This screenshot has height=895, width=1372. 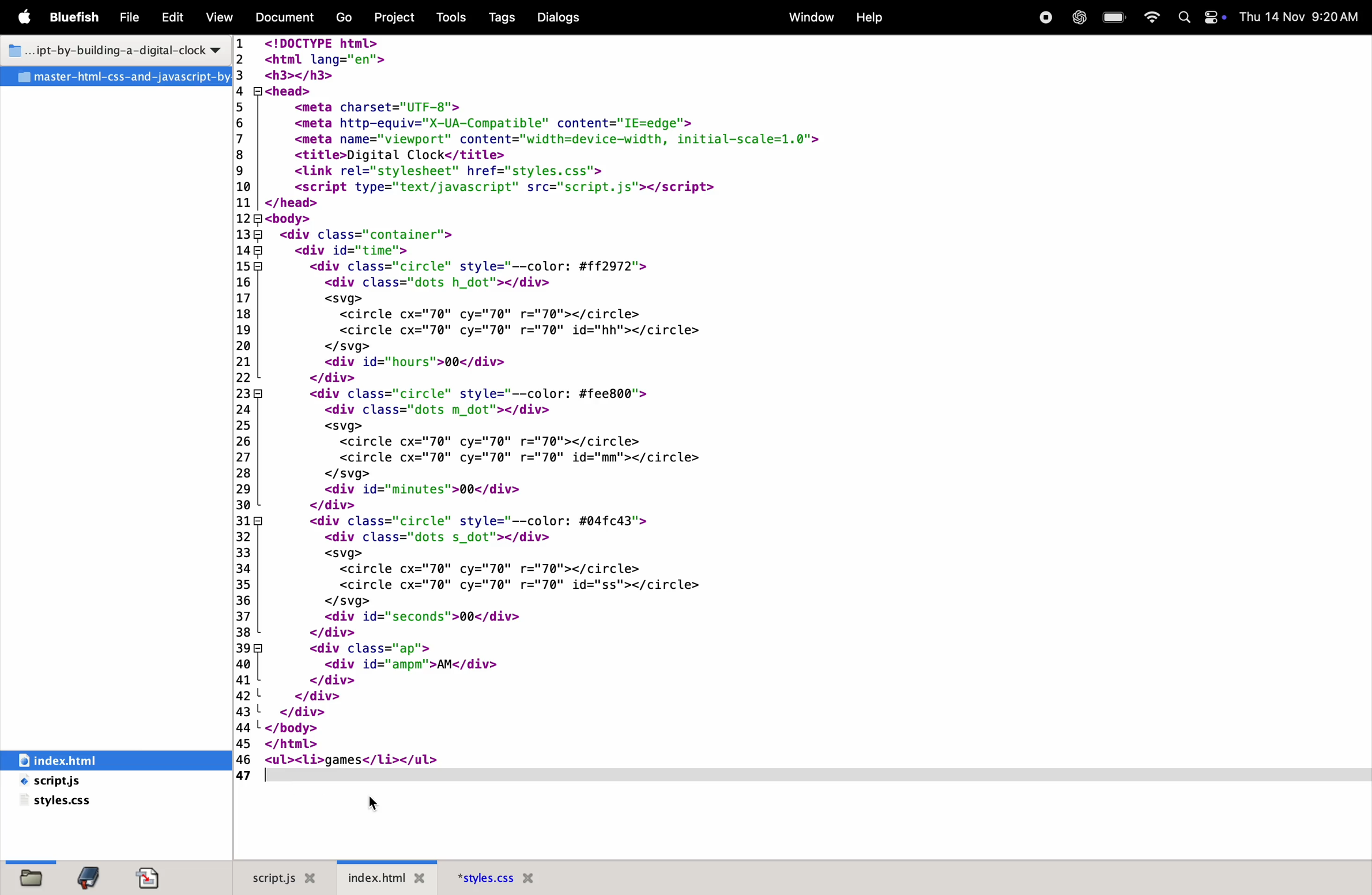 What do you see at coordinates (377, 801) in the screenshot?
I see `cursor` at bounding box center [377, 801].